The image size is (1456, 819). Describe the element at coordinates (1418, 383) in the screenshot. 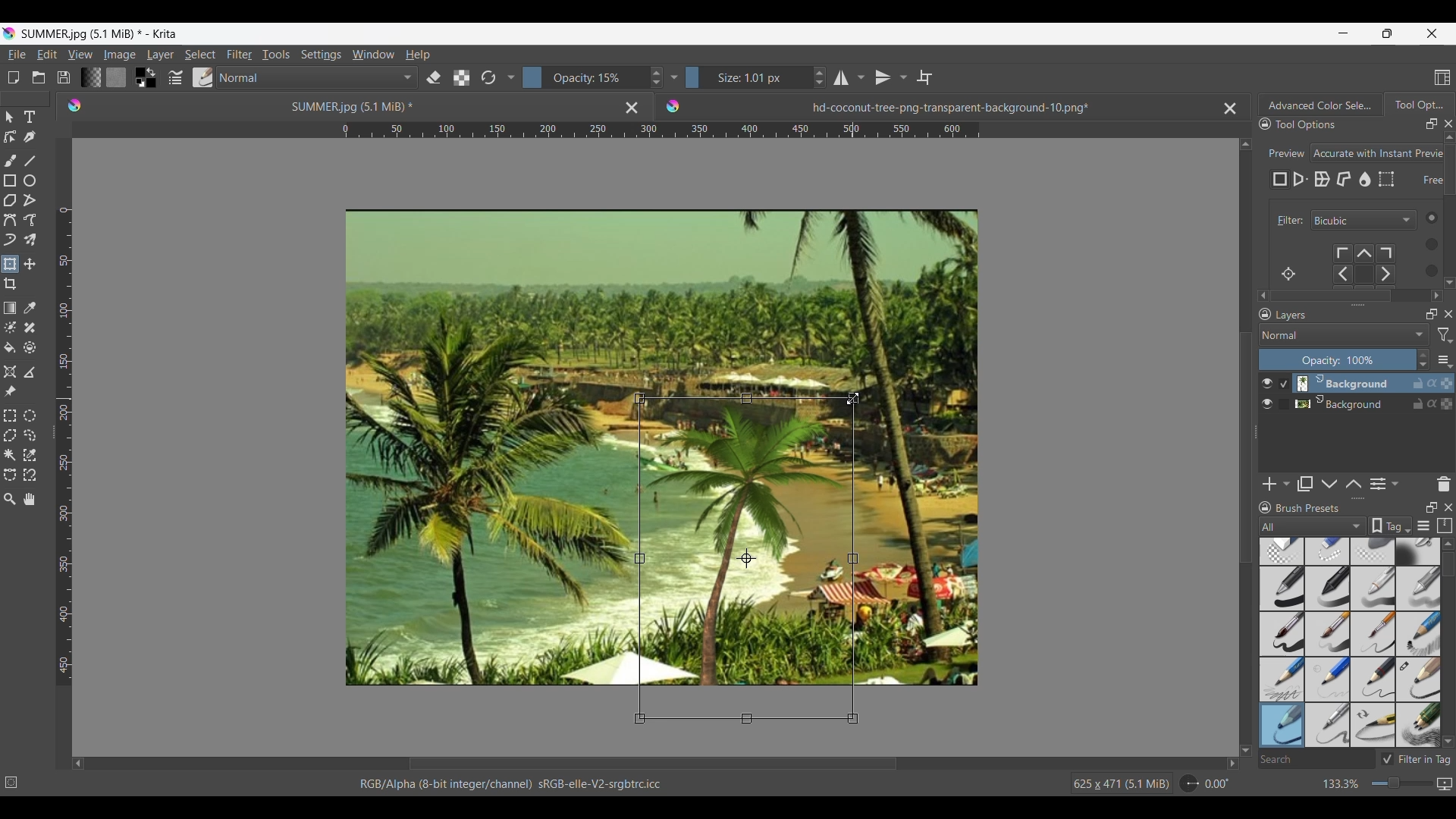

I see `Lock layer` at that location.